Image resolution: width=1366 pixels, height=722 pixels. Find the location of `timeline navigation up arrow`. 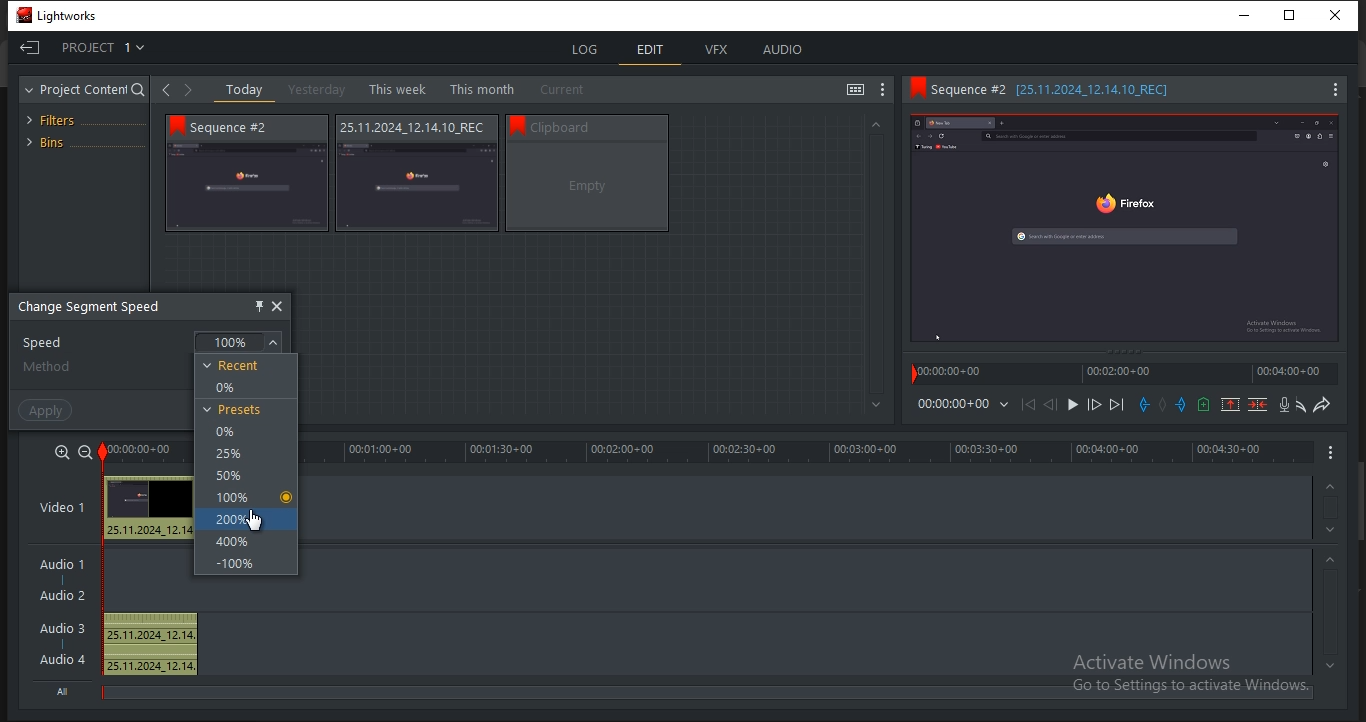

timeline navigation up arrow is located at coordinates (1330, 486).